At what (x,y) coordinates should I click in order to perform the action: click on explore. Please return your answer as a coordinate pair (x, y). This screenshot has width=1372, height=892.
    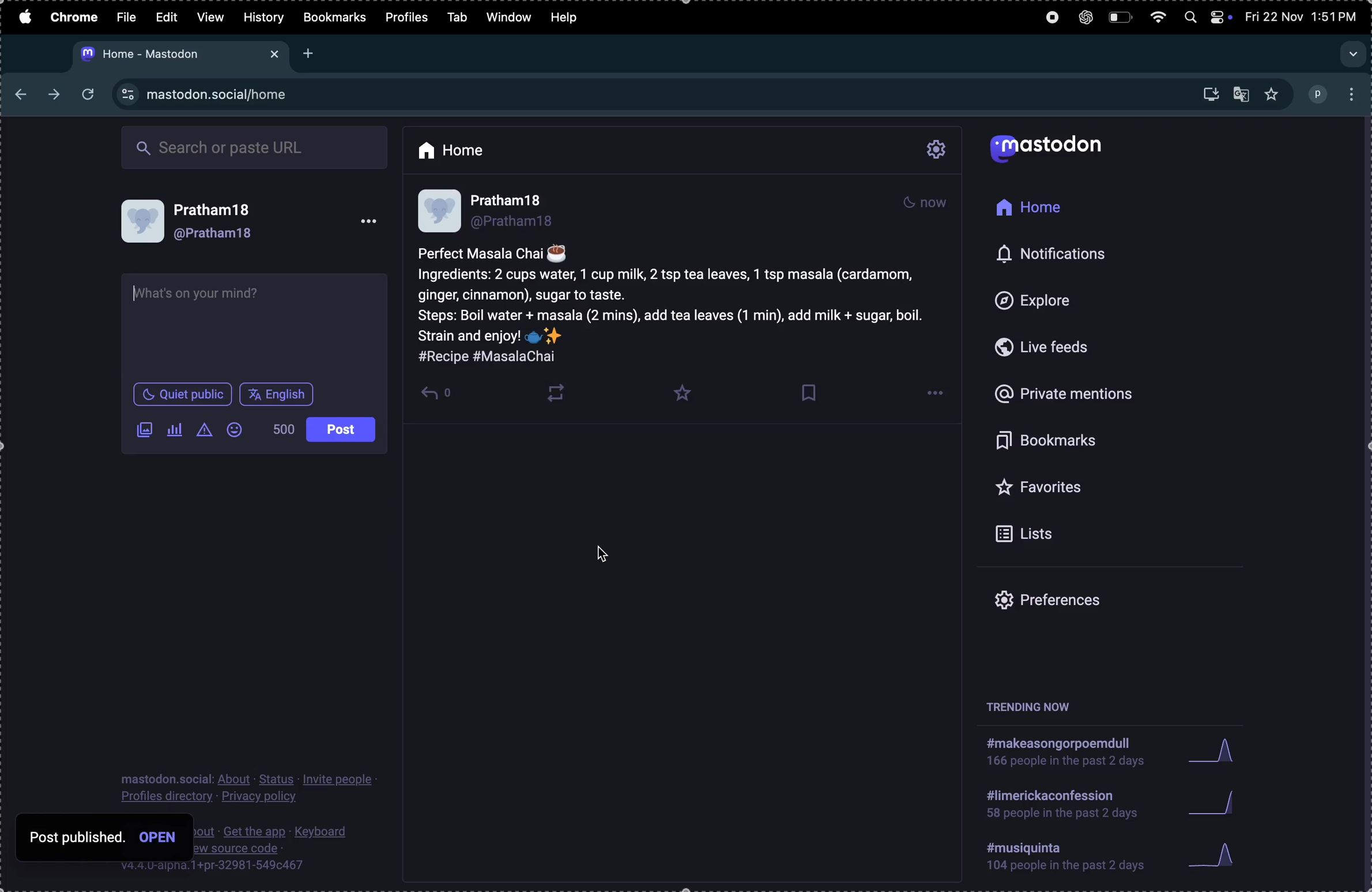
    Looking at the image, I should click on (1069, 297).